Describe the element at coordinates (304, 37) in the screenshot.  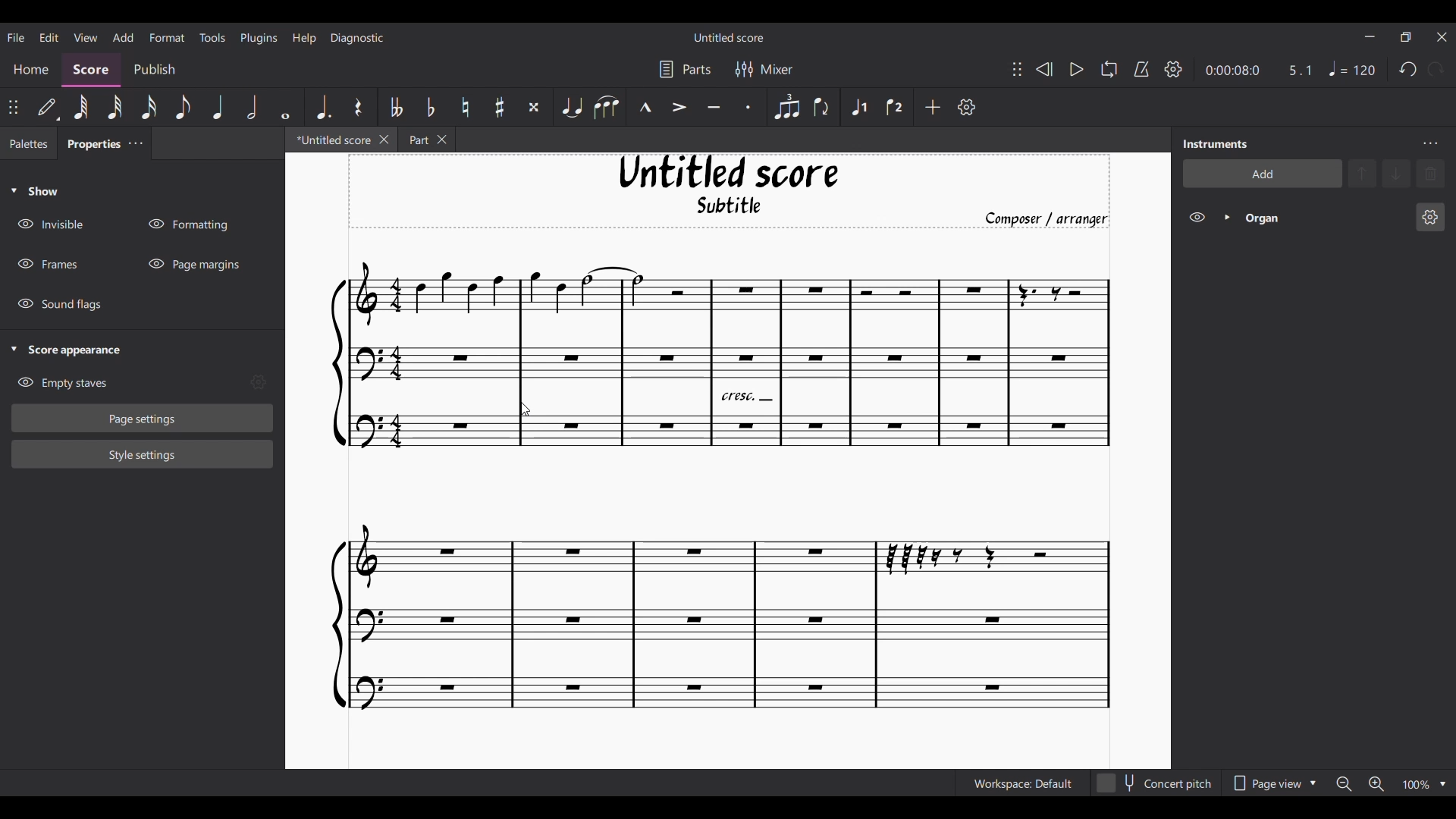
I see `Help menu` at that location.